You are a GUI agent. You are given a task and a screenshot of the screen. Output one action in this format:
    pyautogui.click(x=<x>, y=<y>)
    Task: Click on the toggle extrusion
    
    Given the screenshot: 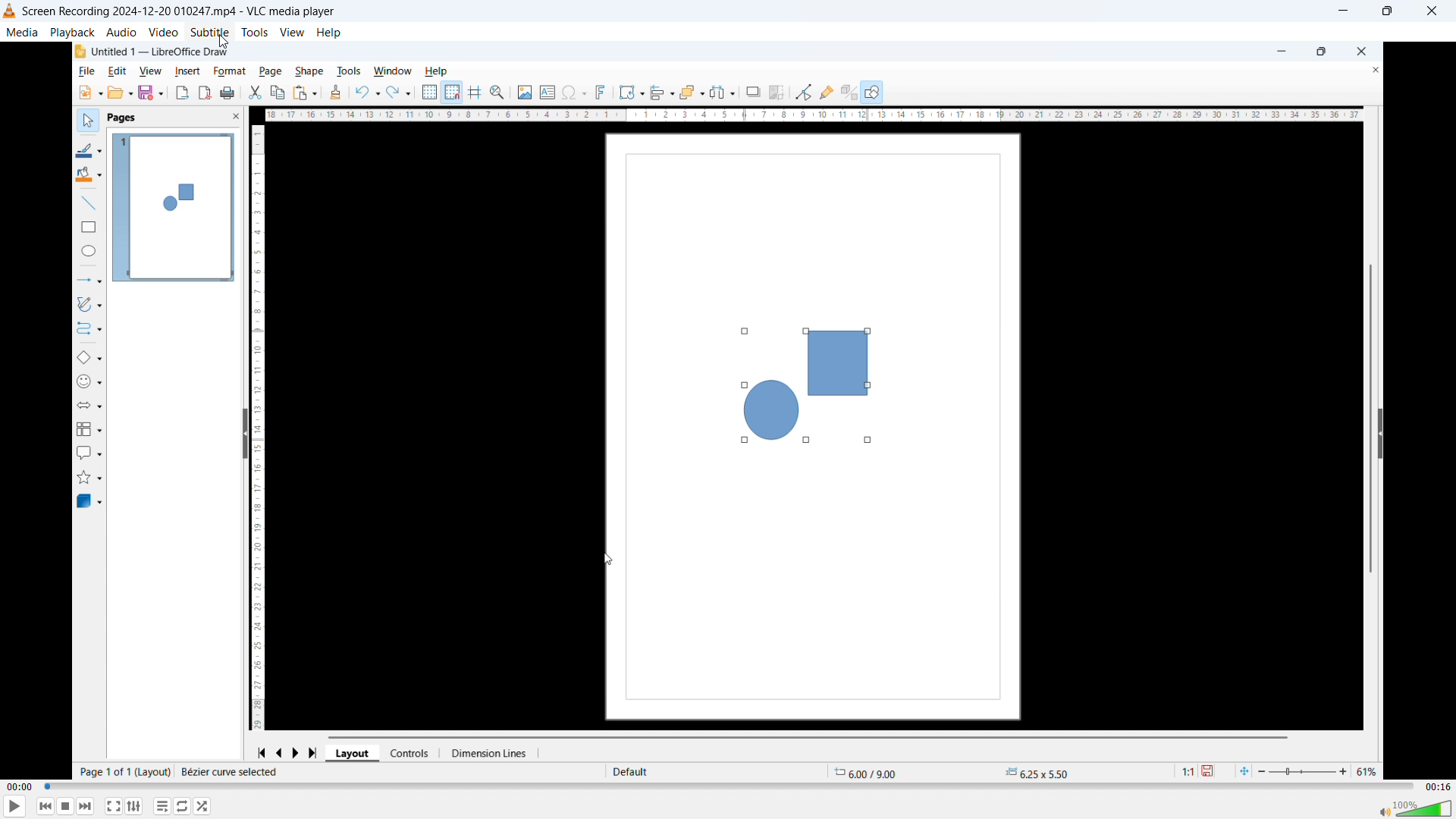 What is the action you would take?
    pyautogui.click(x=849, y=93)
    